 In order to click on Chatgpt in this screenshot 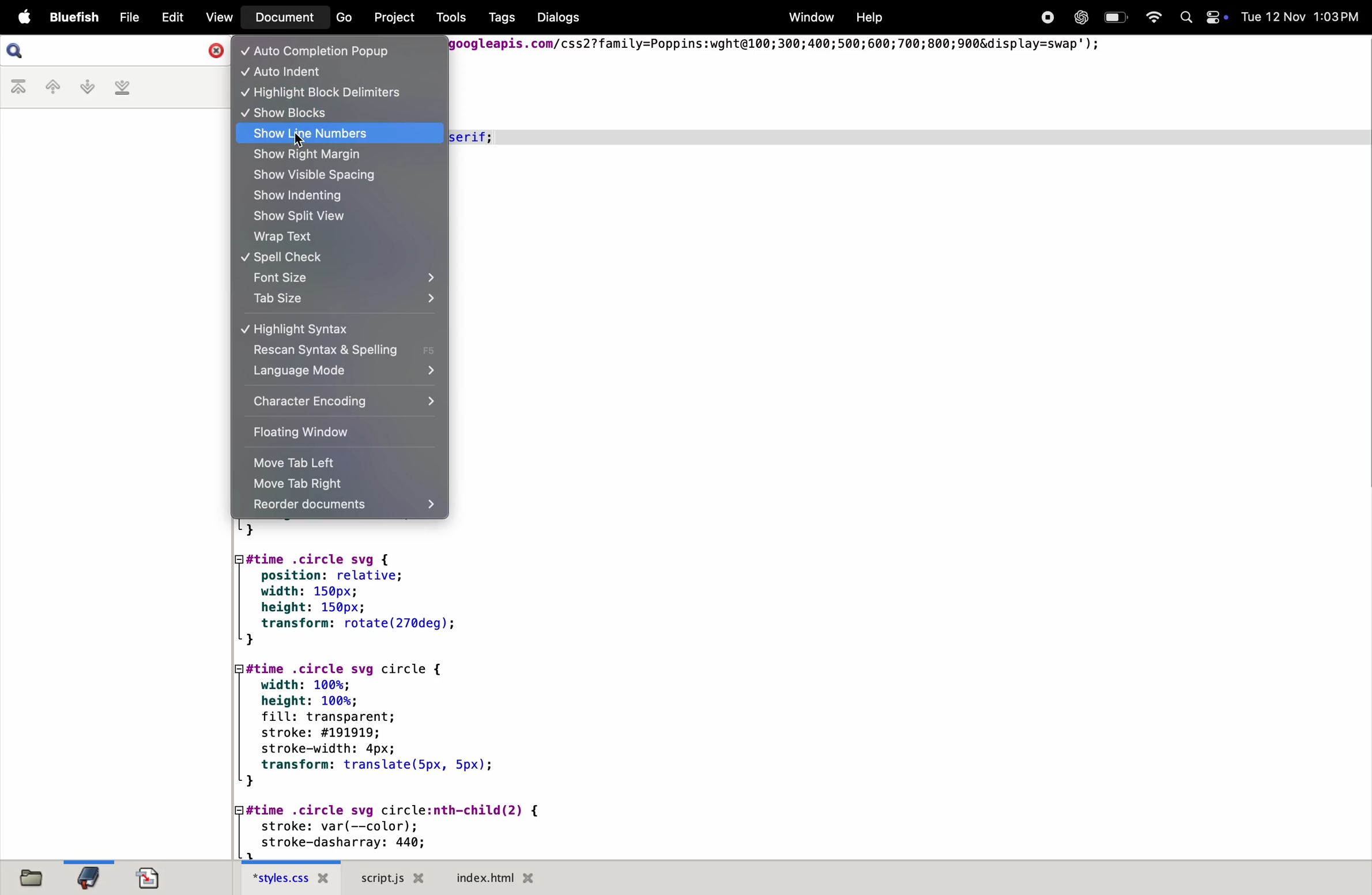, I will do `click(1081, 17)`.